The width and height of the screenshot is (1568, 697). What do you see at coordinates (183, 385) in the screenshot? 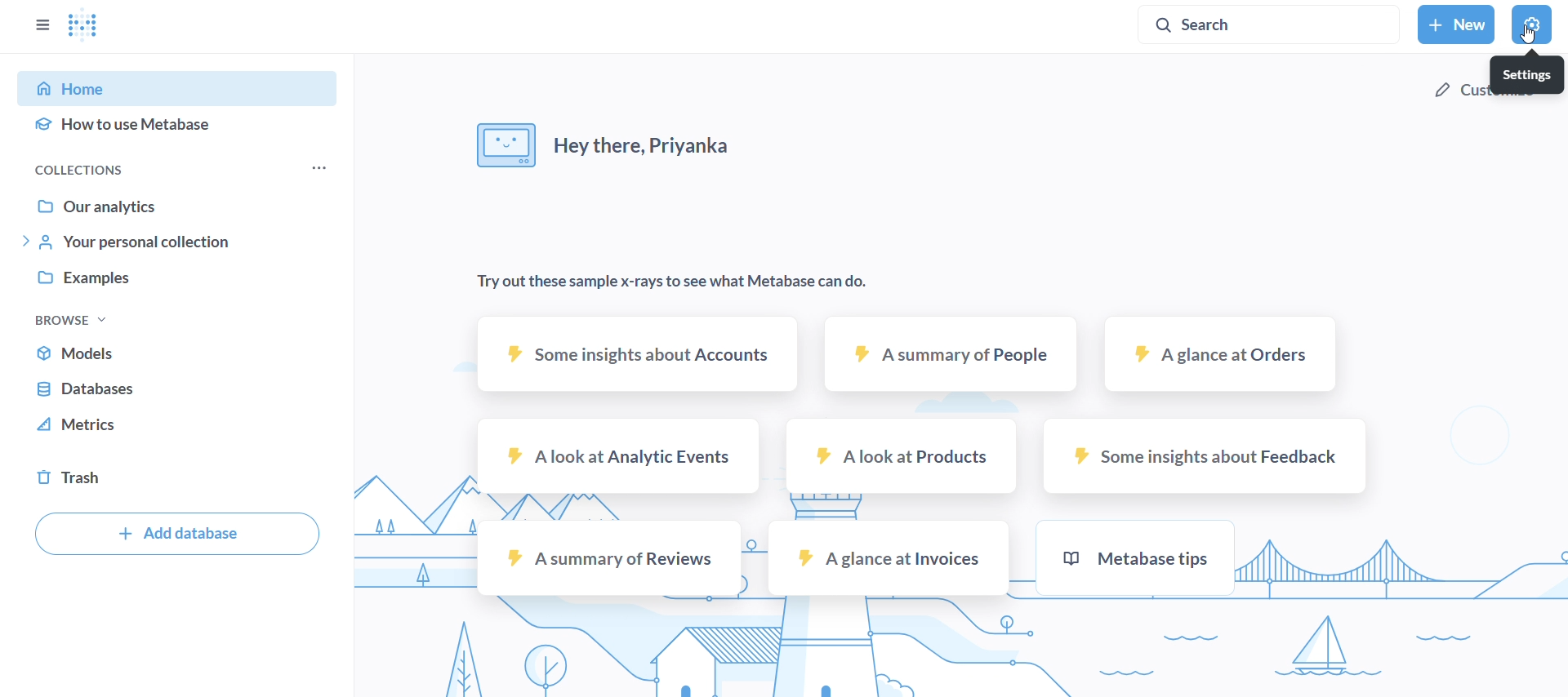
I see `database` at bounding box center [183, 385].